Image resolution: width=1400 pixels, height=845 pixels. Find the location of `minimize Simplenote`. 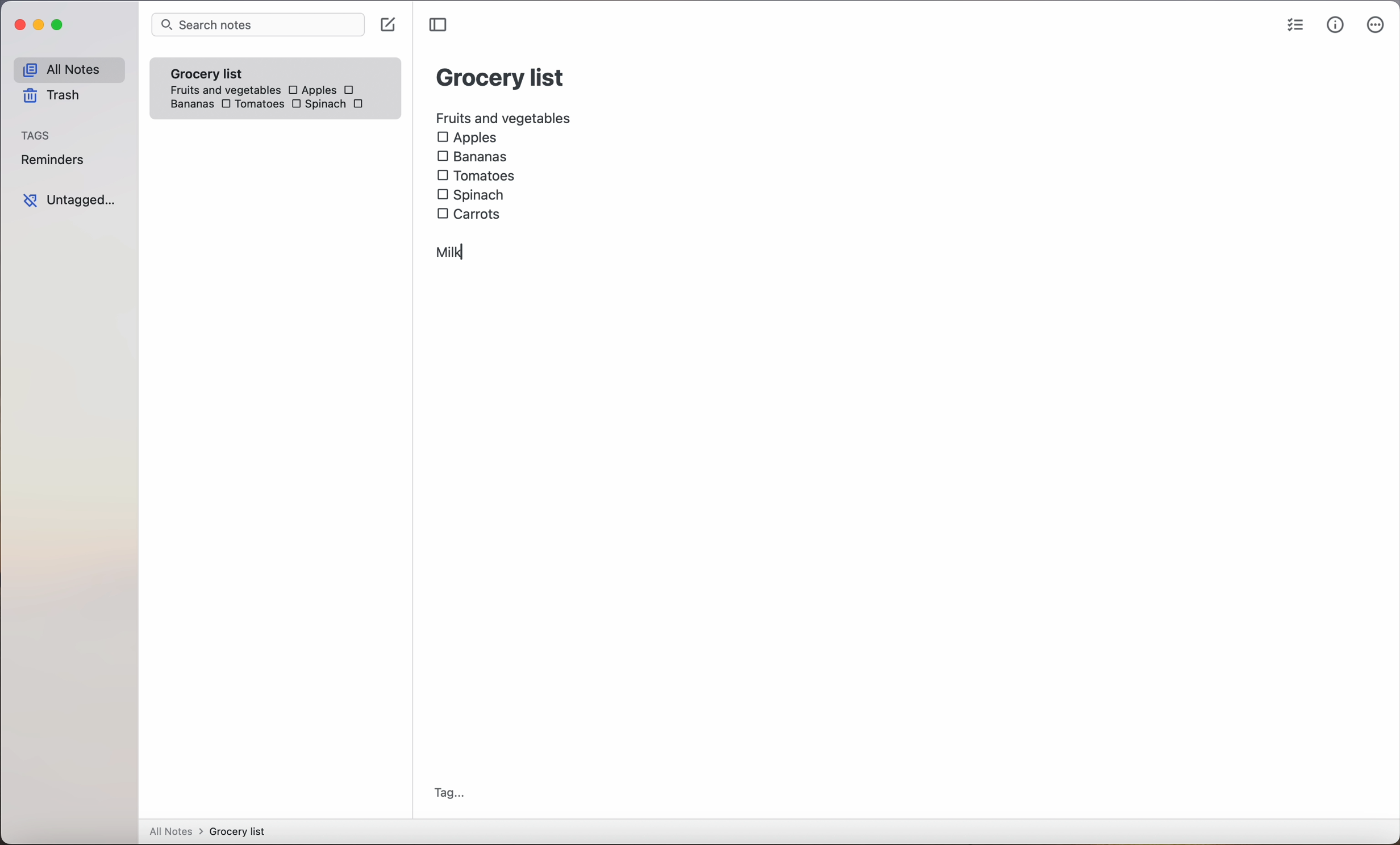

minimize Simplenote is located at coordinates (41, 27).